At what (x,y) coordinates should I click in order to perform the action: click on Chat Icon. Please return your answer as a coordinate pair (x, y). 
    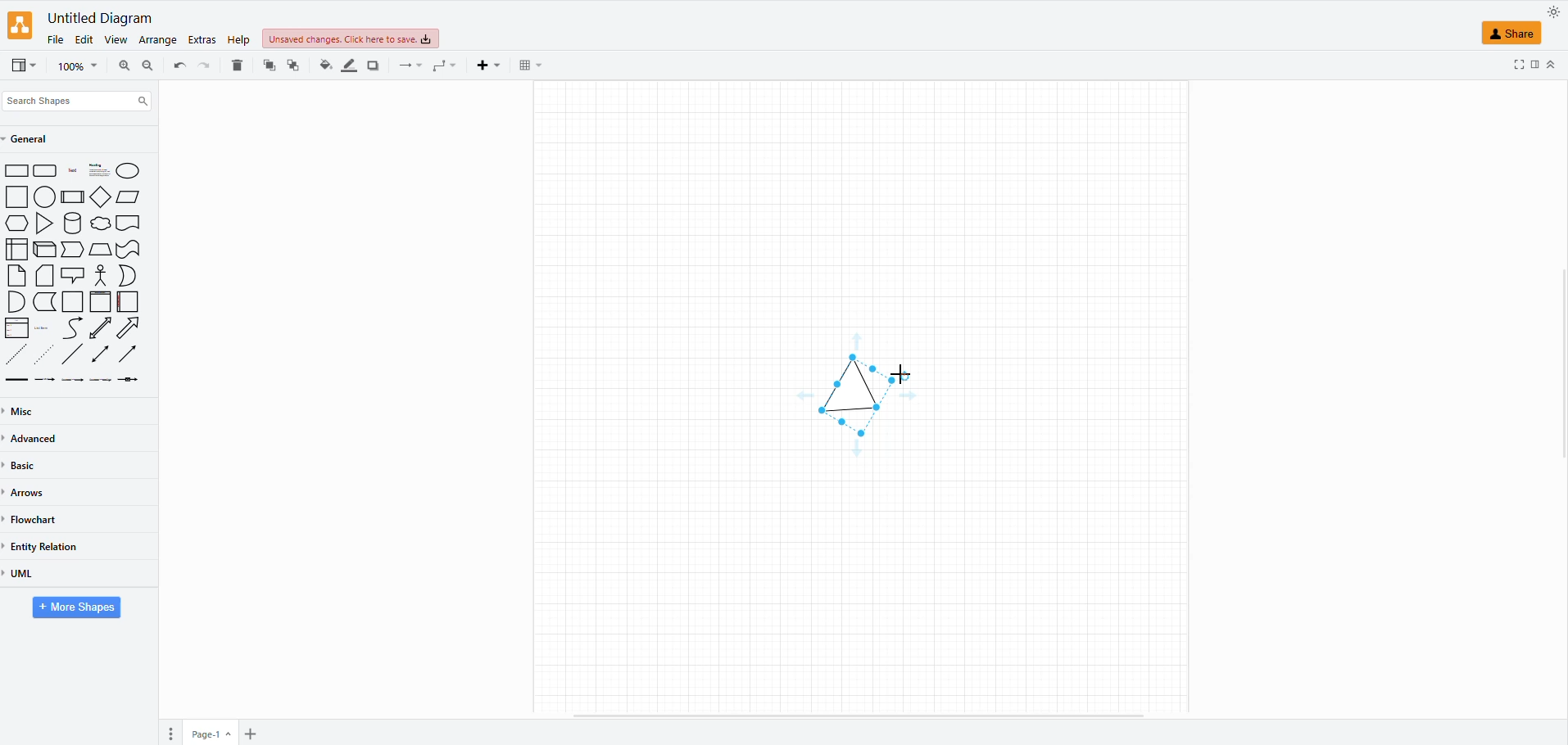
    Looking at the image, I should click on (73, 275).